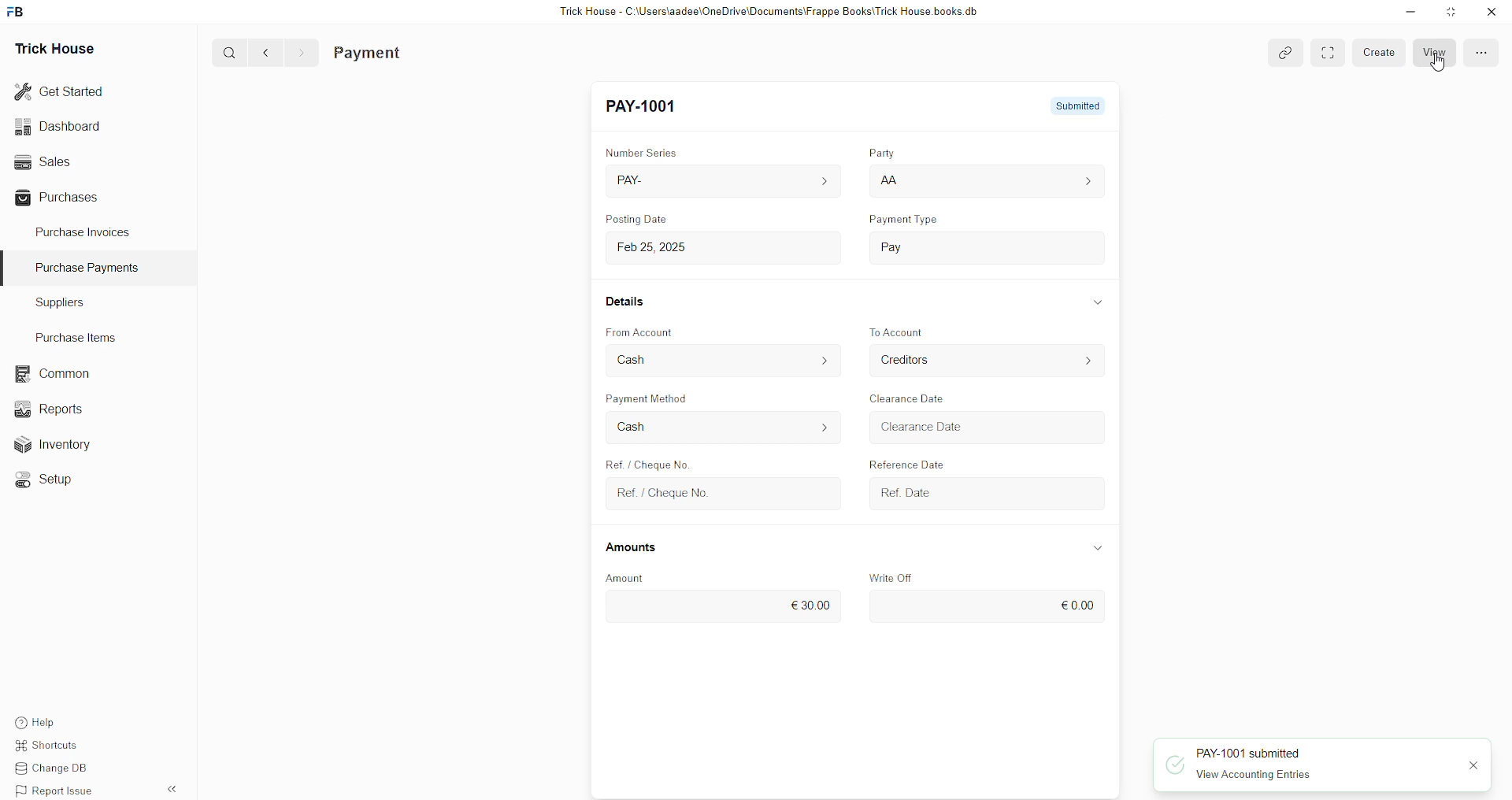 The height and width of the screenshot is (800, 1512). I want to click on calendar, so click(821, 245).